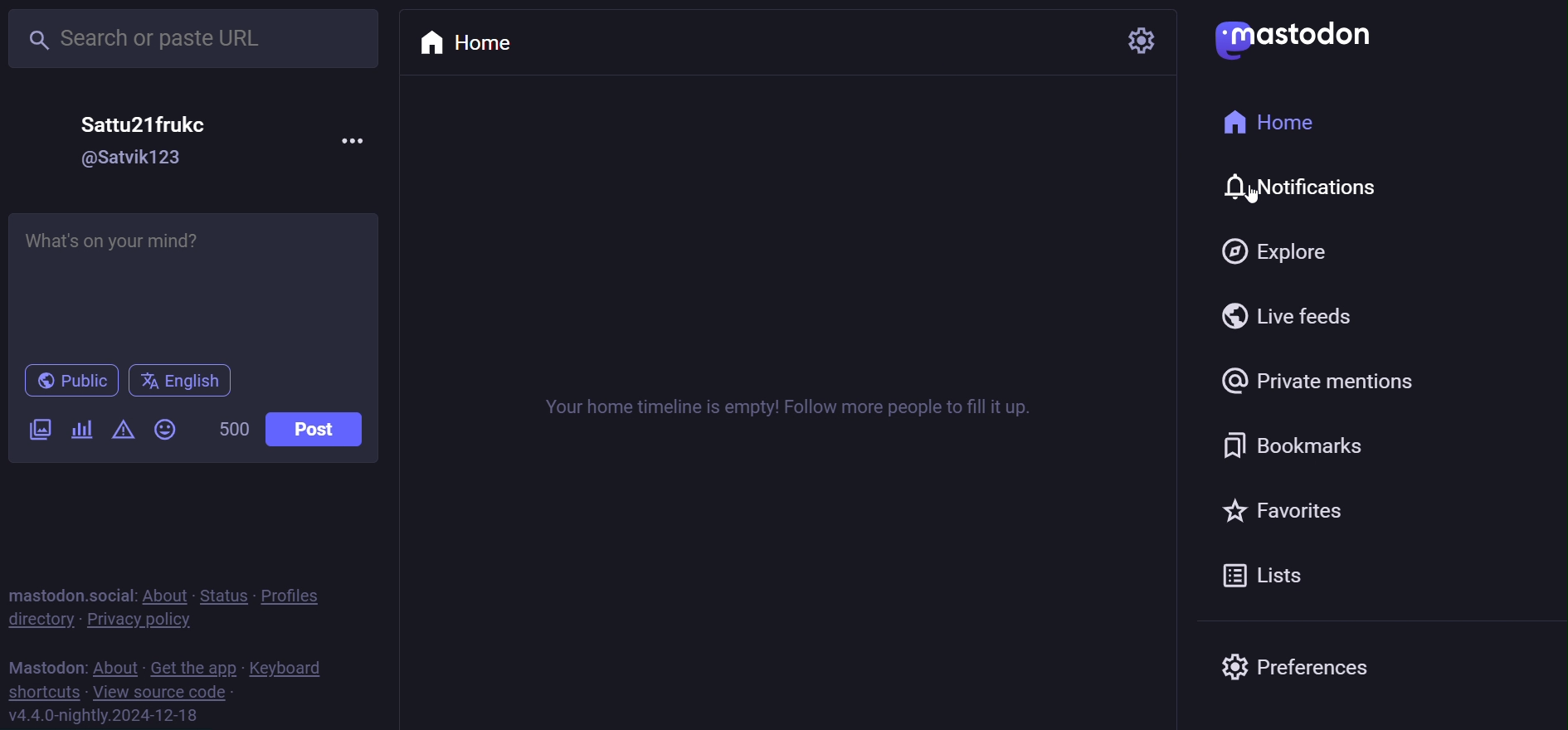  Describe the element at coordinates (186, 40) in the screenshot. I see `Search or paste URL` at that location.